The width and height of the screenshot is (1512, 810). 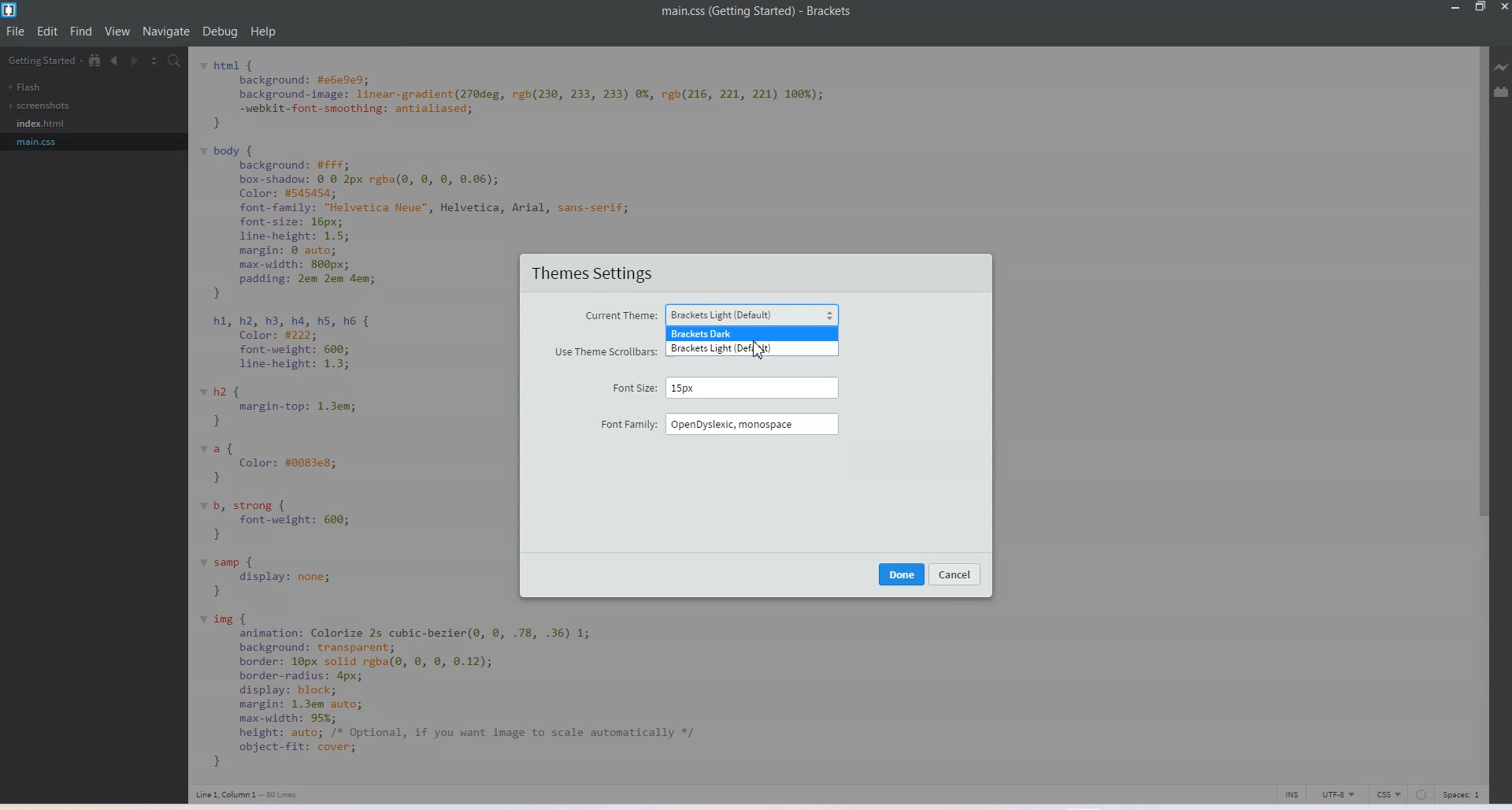 What do you see at coordinates (719, 424) in the screenshot?
I see `Font Family` at bounding box center [719, 424].